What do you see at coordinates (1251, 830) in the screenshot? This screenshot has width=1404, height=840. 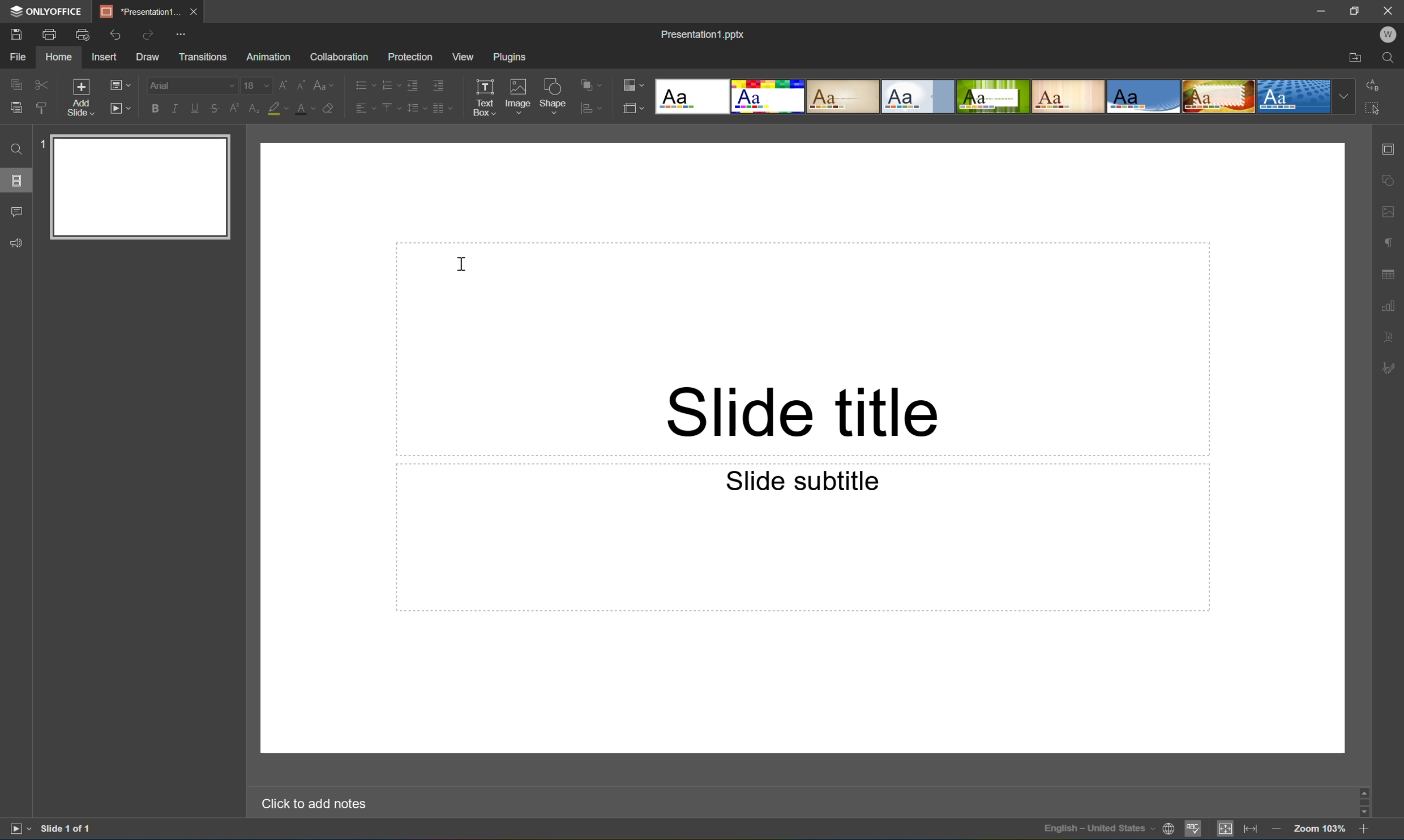 I see `Fit to width` at bounding box center [1251, 830].